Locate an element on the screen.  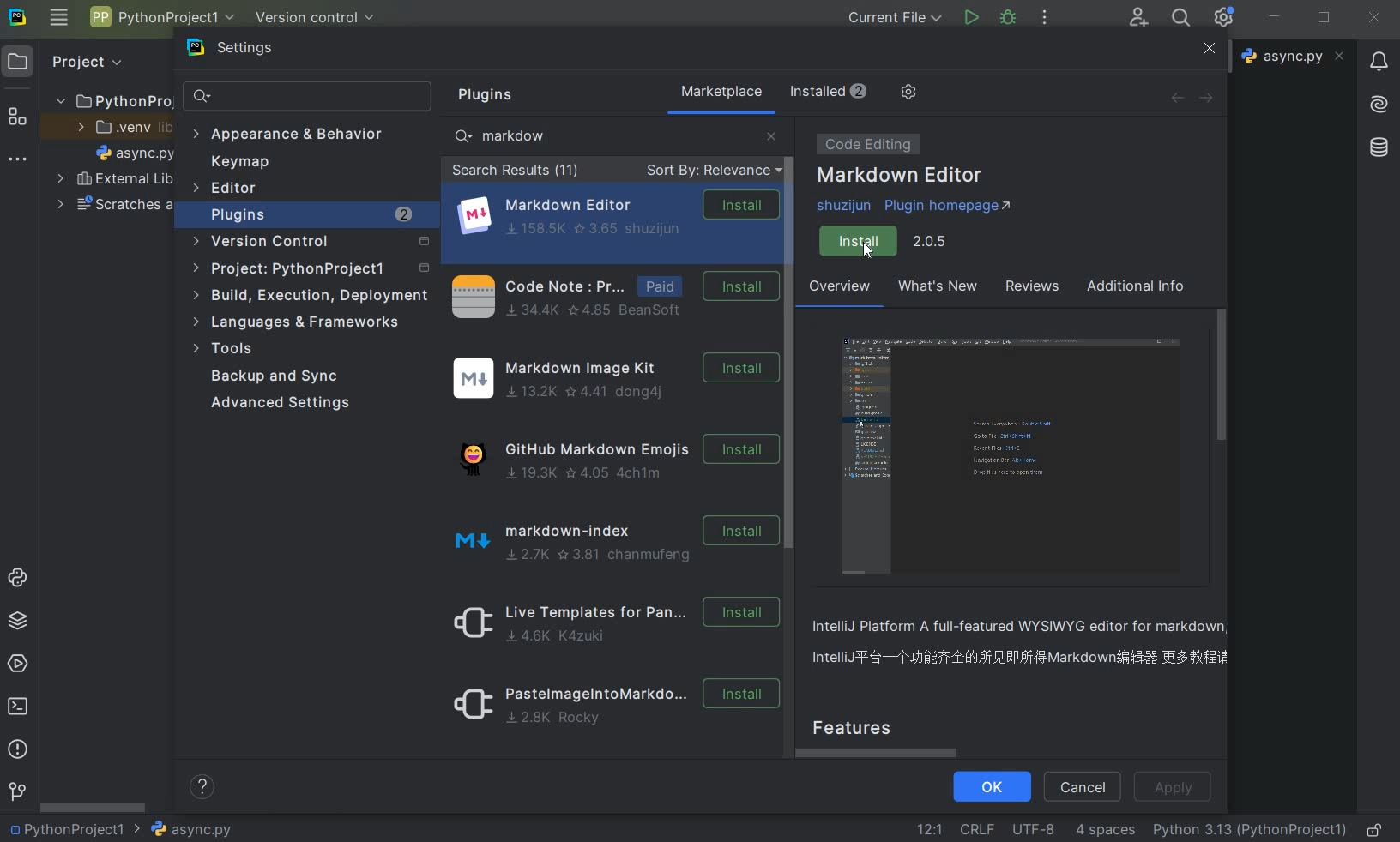
ide and project settings is located at coordinates (1224, 18).